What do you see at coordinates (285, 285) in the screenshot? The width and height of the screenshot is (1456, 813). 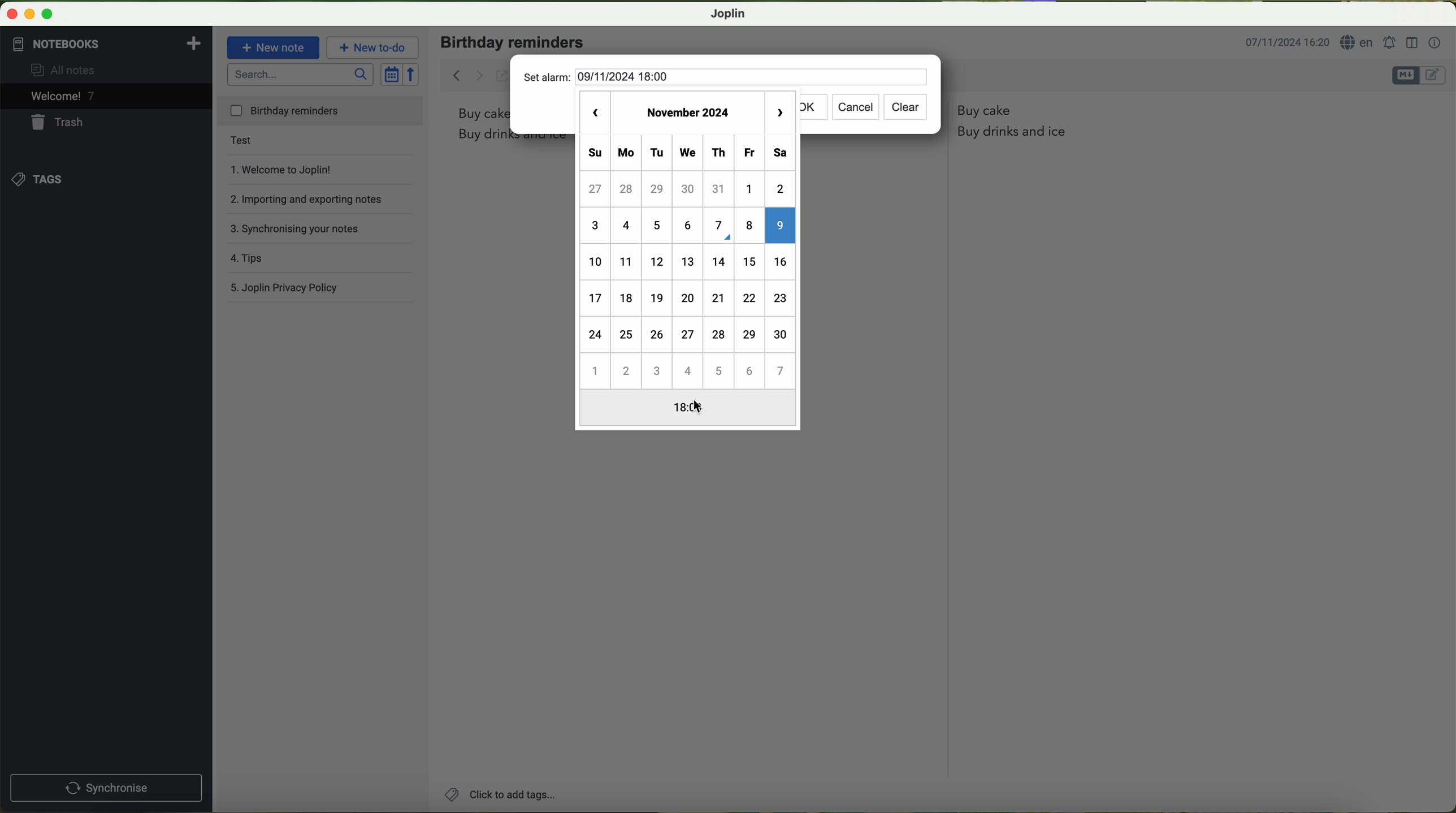 I see `Joplin privacy policy` at bounding box center [285, 285].